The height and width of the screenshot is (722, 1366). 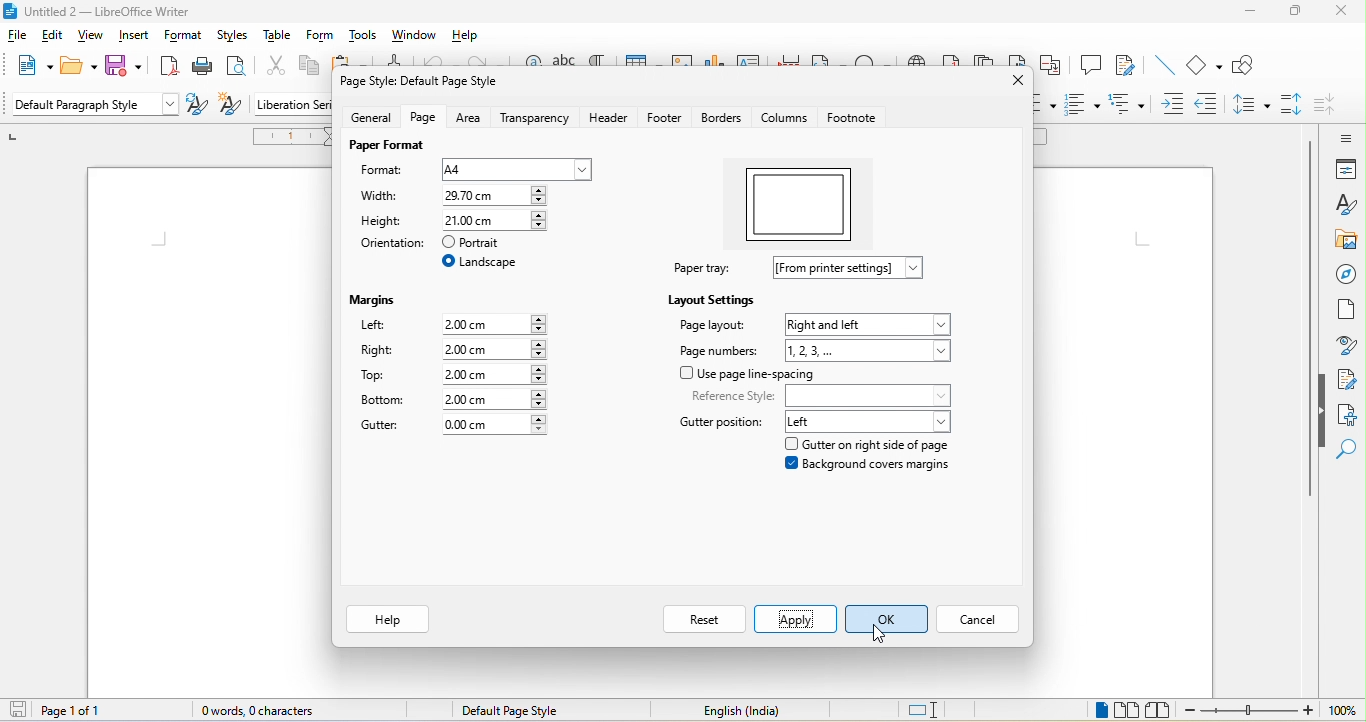 What do you see at coordinates (388, 620) in the screenshot?
I see `help` at bounding box center [388, 620].